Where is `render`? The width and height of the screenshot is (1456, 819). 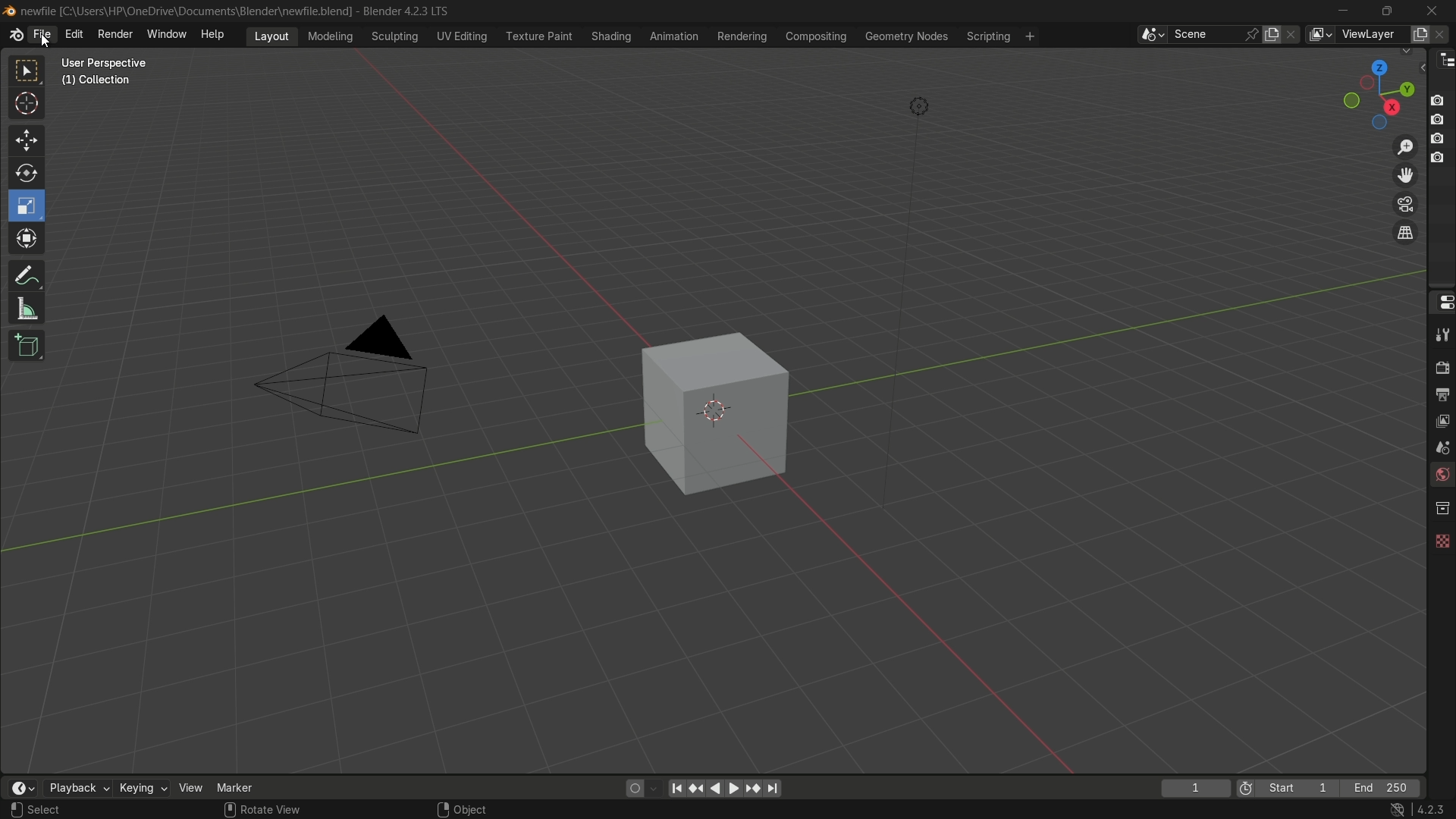
render is located at coordinates (1439, 366).